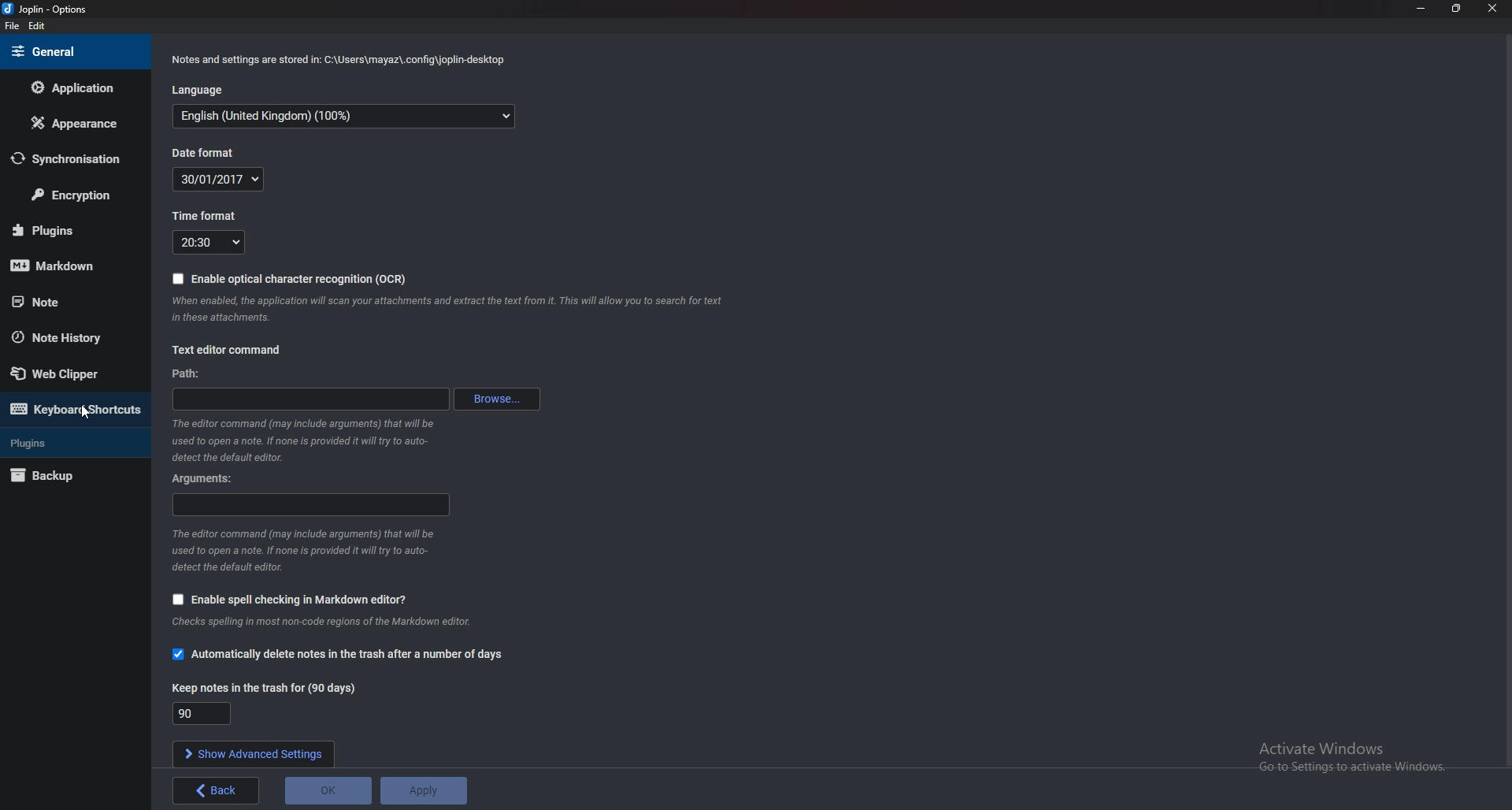  I want to click on Apply, so click(424, 789).